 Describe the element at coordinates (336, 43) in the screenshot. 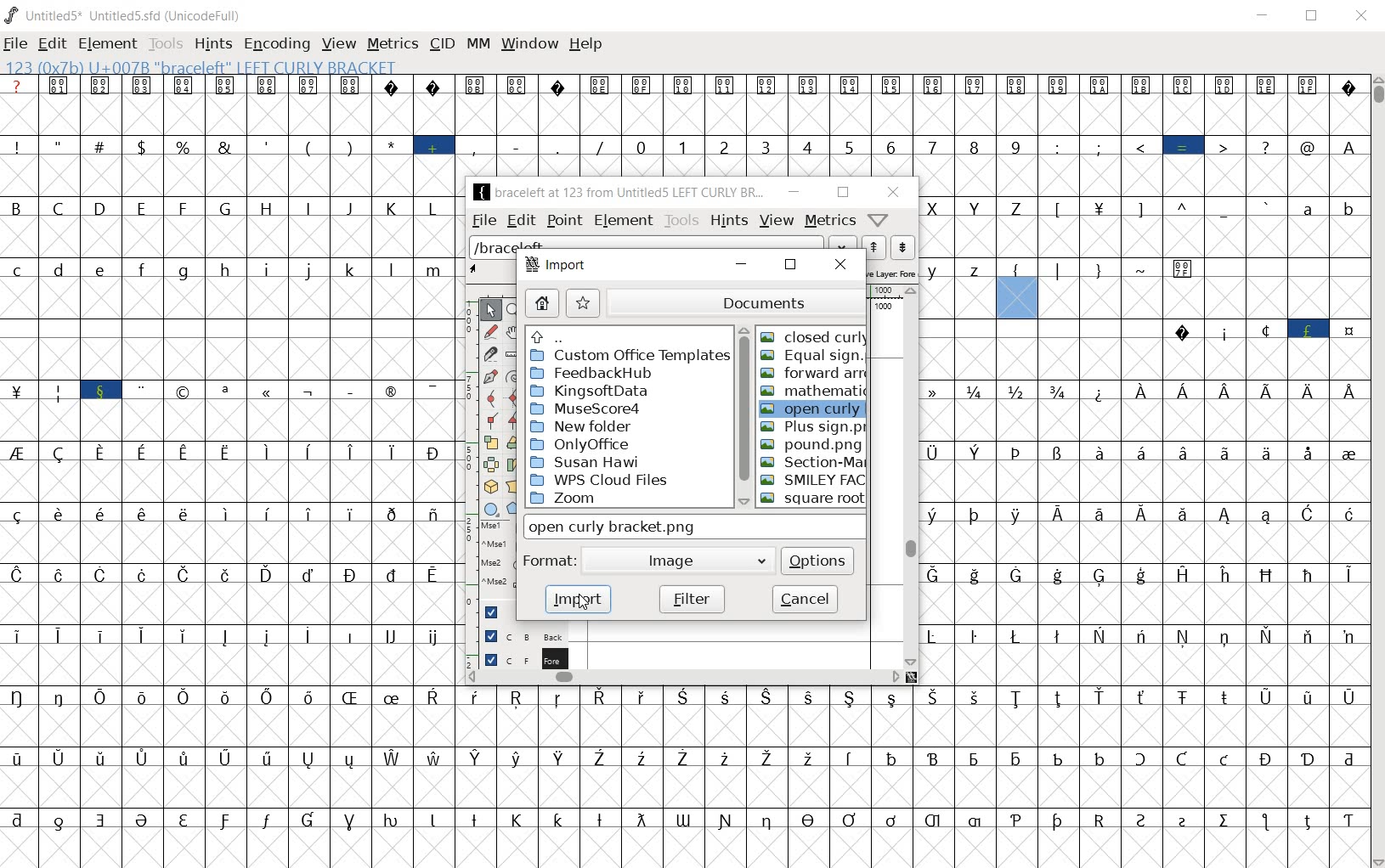

I see `view` at that location.